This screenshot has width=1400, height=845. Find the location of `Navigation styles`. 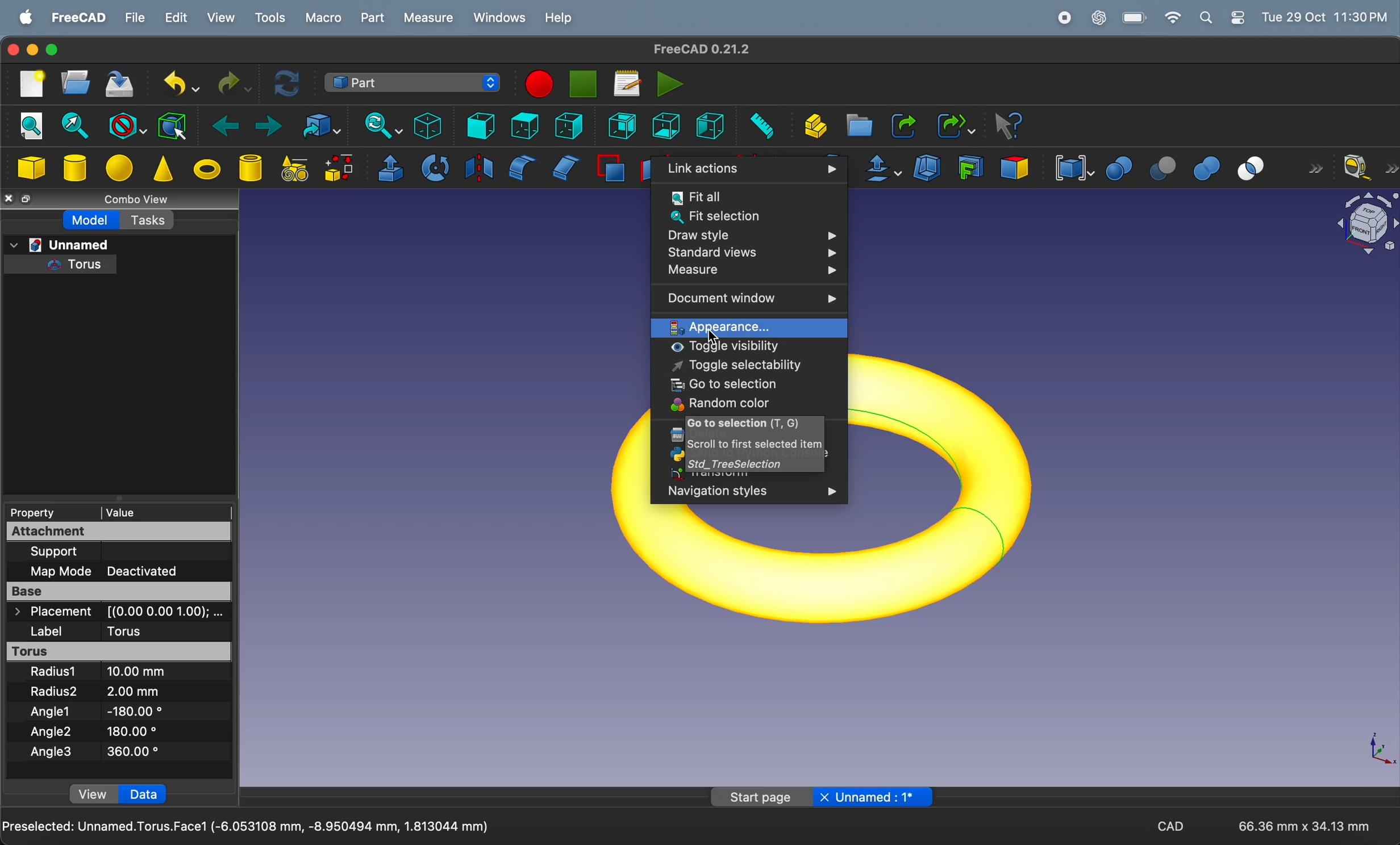

Navigation styles is located at coordinates (755, 492).